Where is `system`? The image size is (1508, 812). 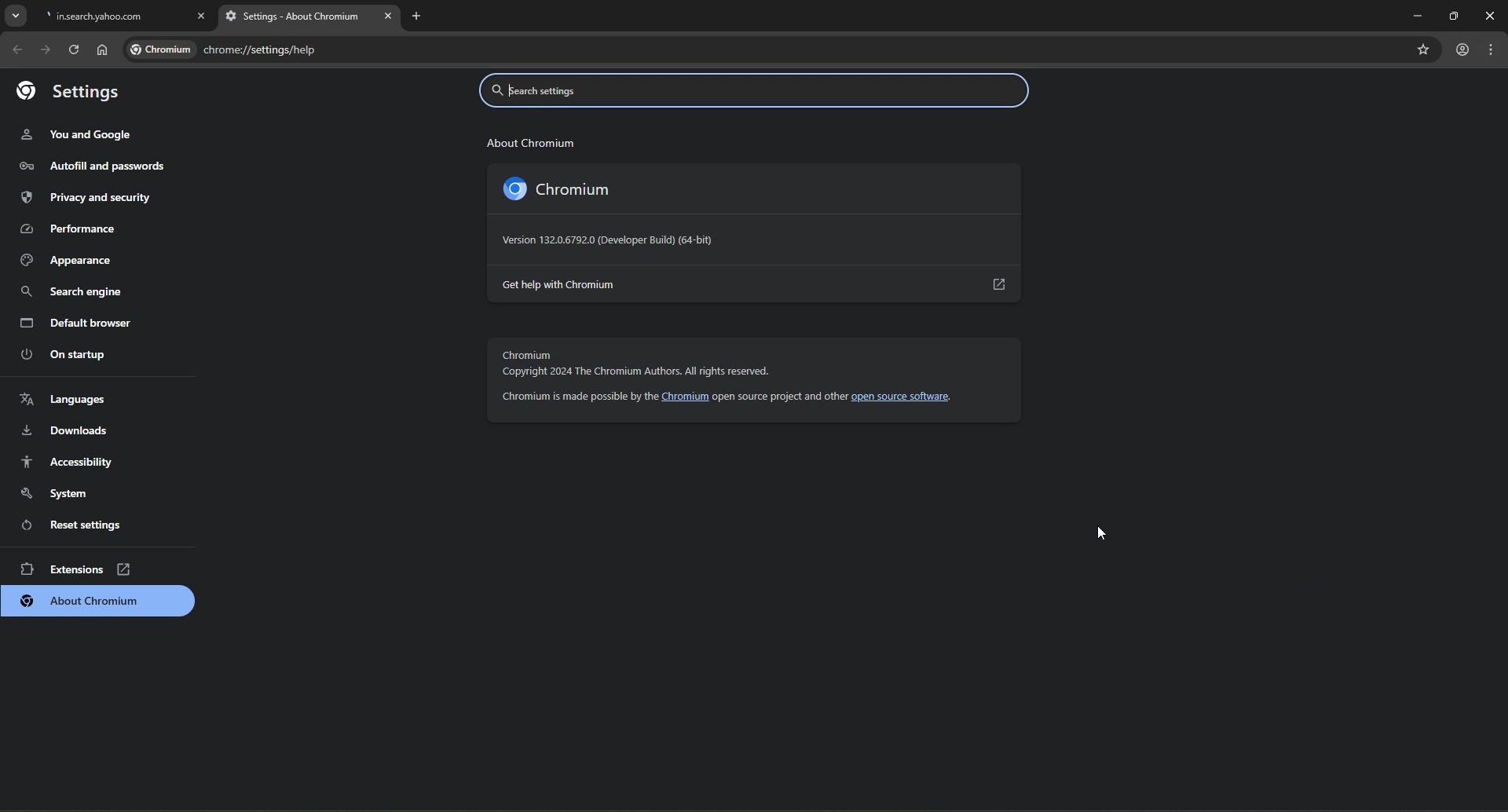 system is located at coordinates (83, 492).